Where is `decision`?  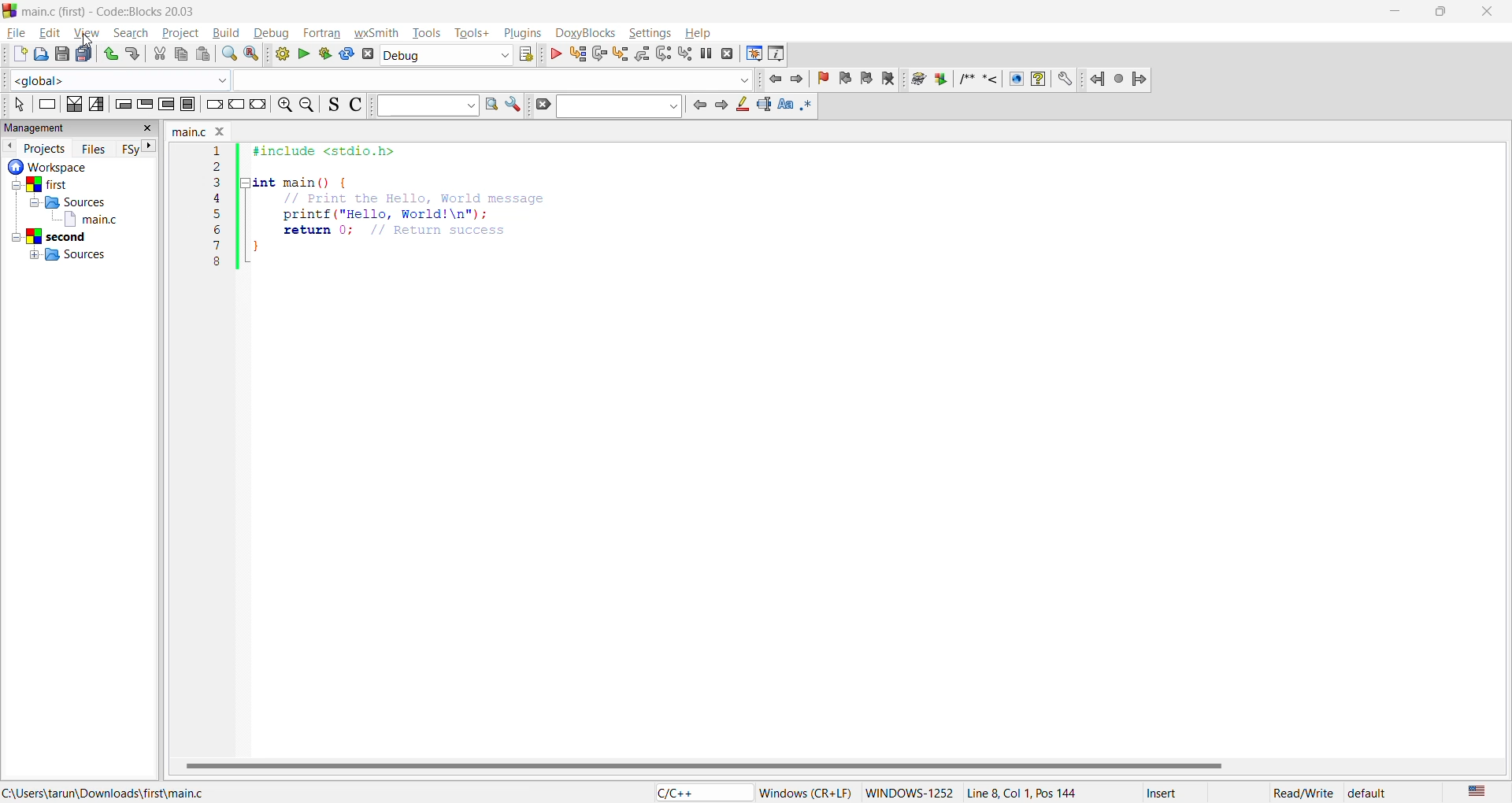 decision is located at coordinates (72, 105).